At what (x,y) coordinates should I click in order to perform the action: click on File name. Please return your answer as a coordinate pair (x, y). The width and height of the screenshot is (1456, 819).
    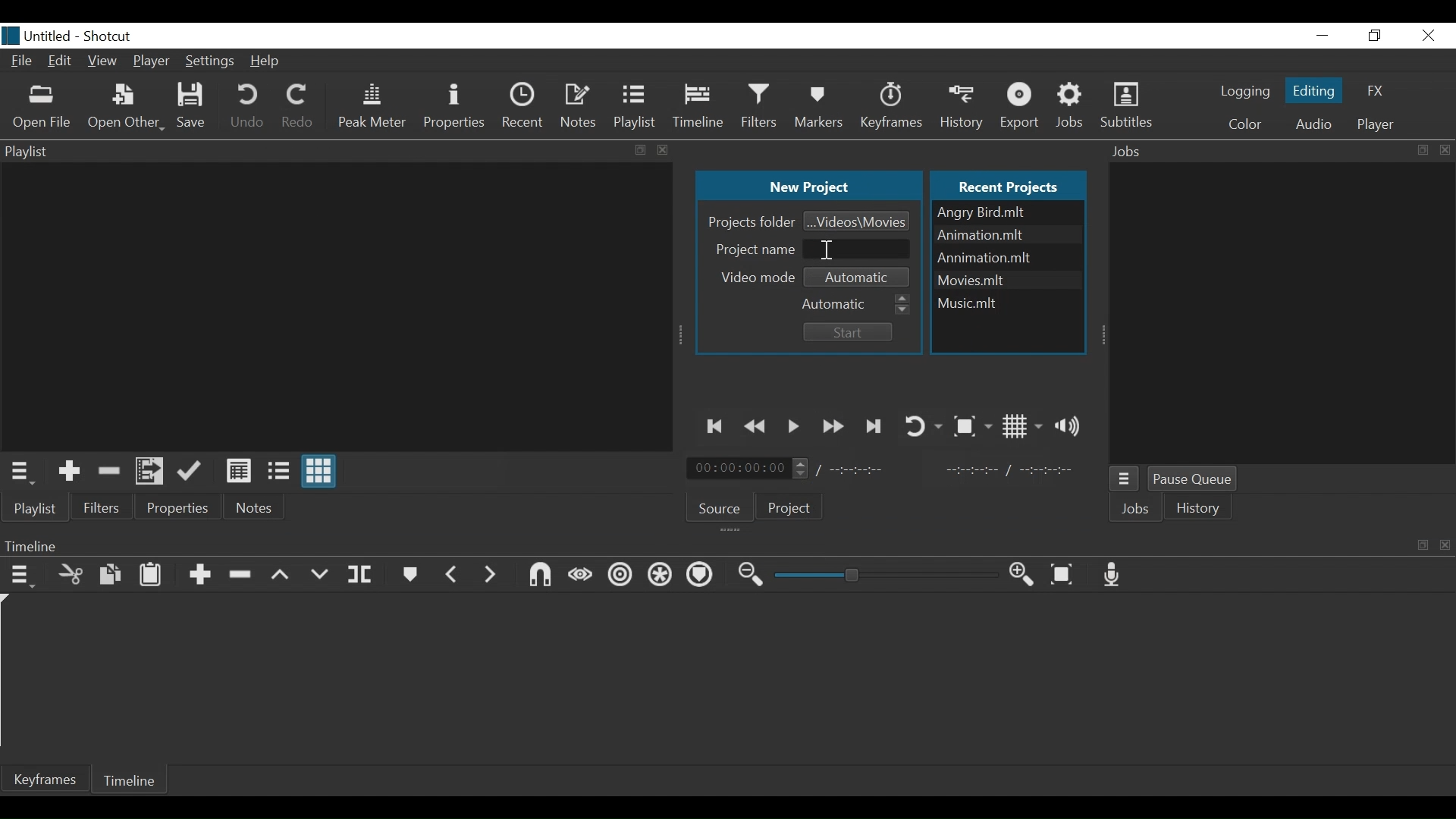
    Looking at the image, I should click on (37, 36).